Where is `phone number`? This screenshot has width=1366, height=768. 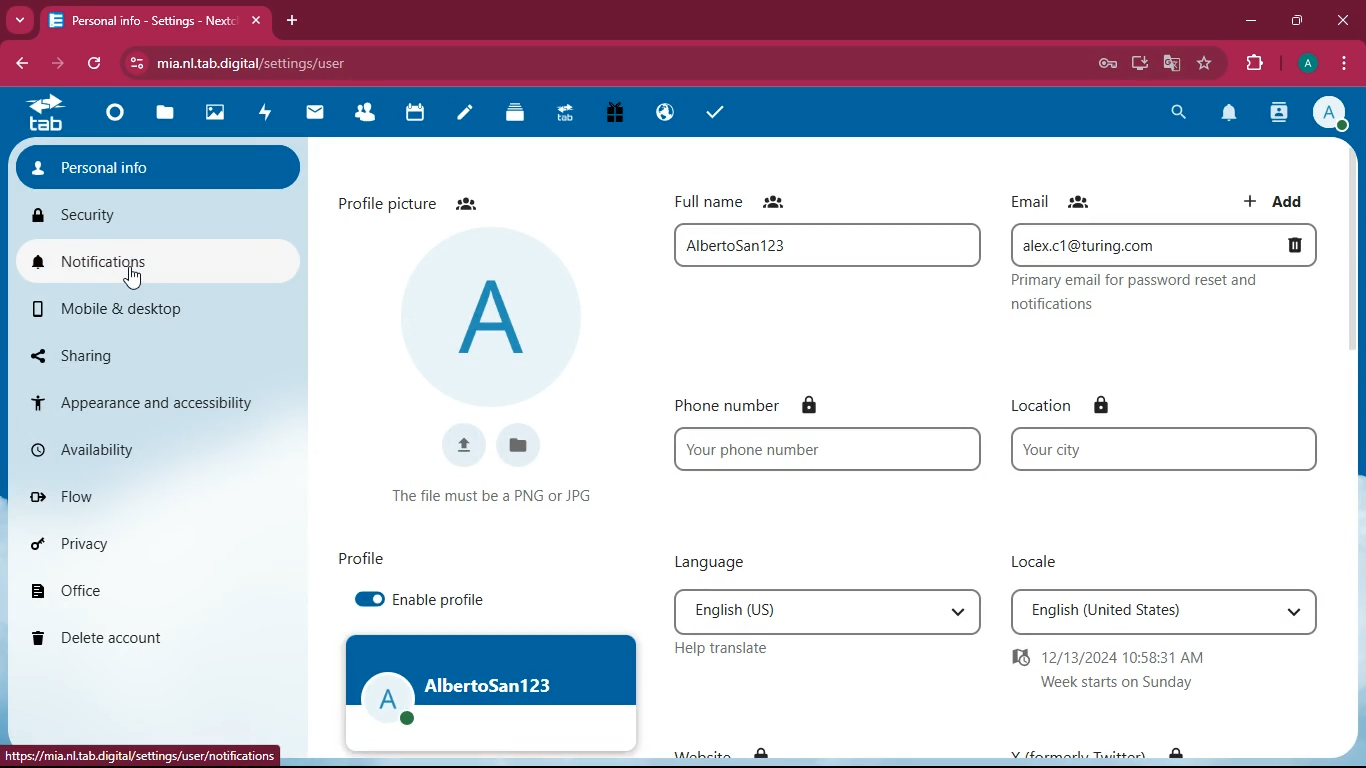 phone number is located at coordinates (727, 403).